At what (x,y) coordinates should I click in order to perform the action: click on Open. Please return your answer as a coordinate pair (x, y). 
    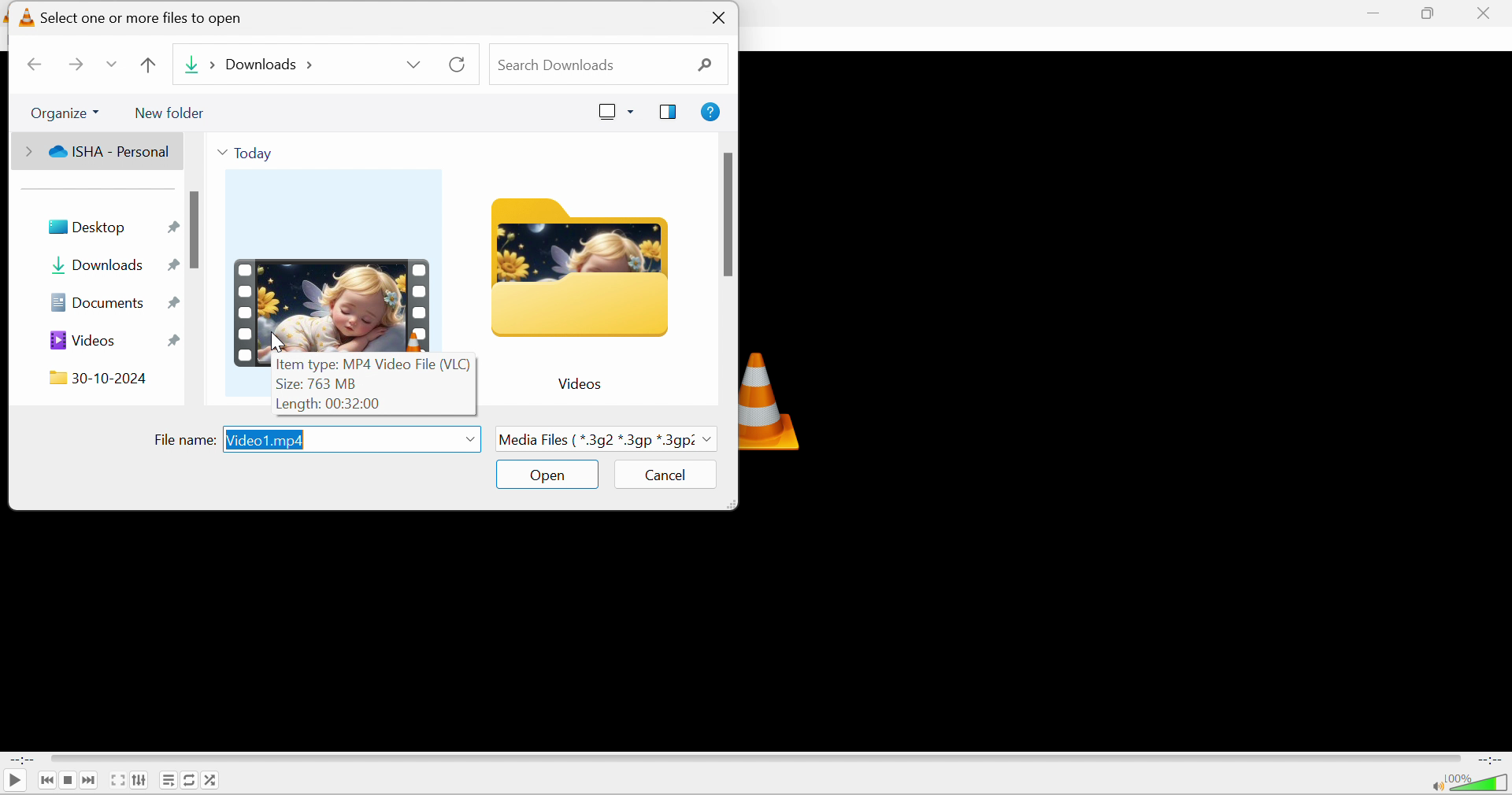
    Looking at the image, I should click on (549, 474).